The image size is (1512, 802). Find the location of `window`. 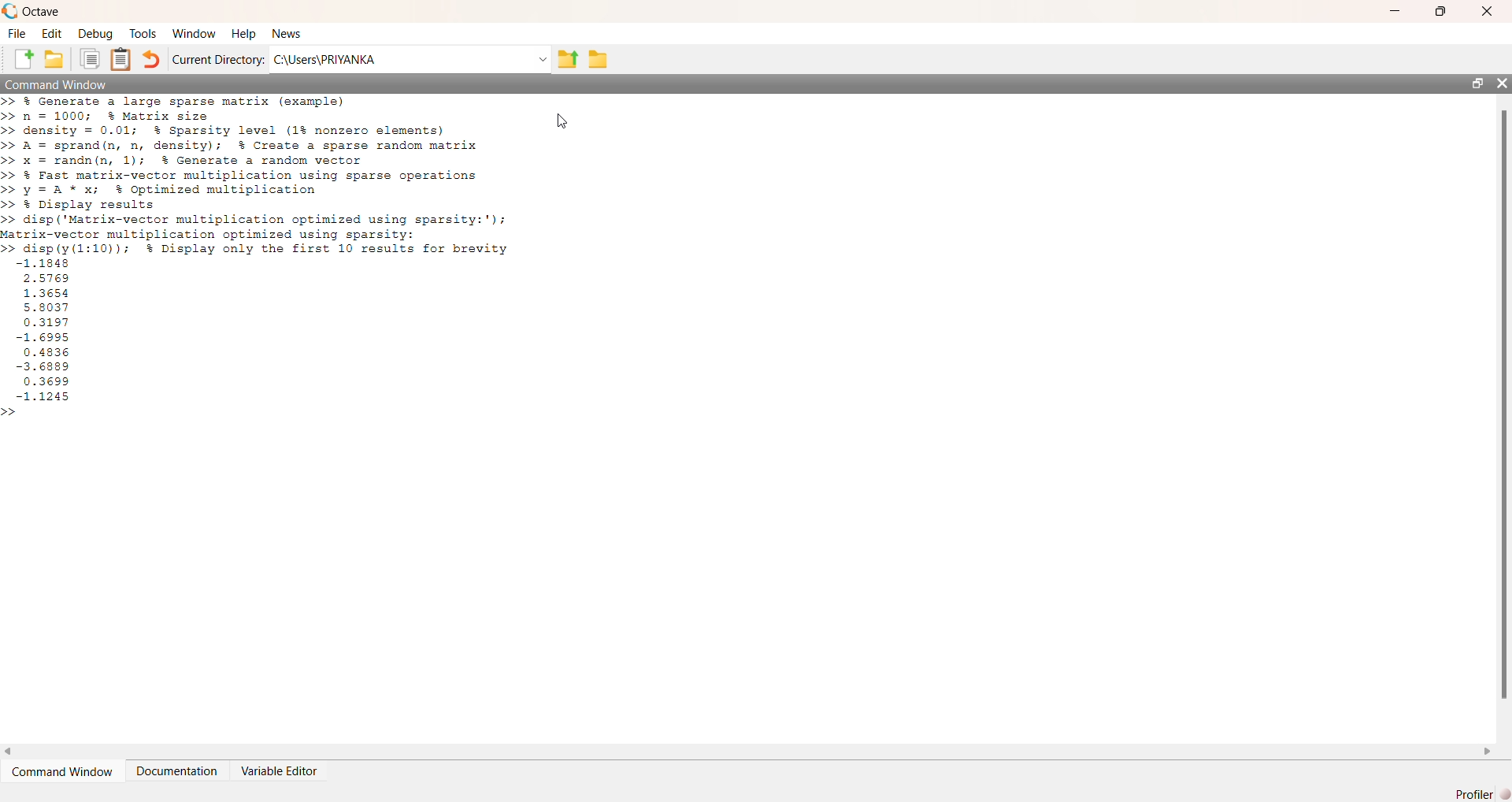

window is located at coordinates (194, 32).